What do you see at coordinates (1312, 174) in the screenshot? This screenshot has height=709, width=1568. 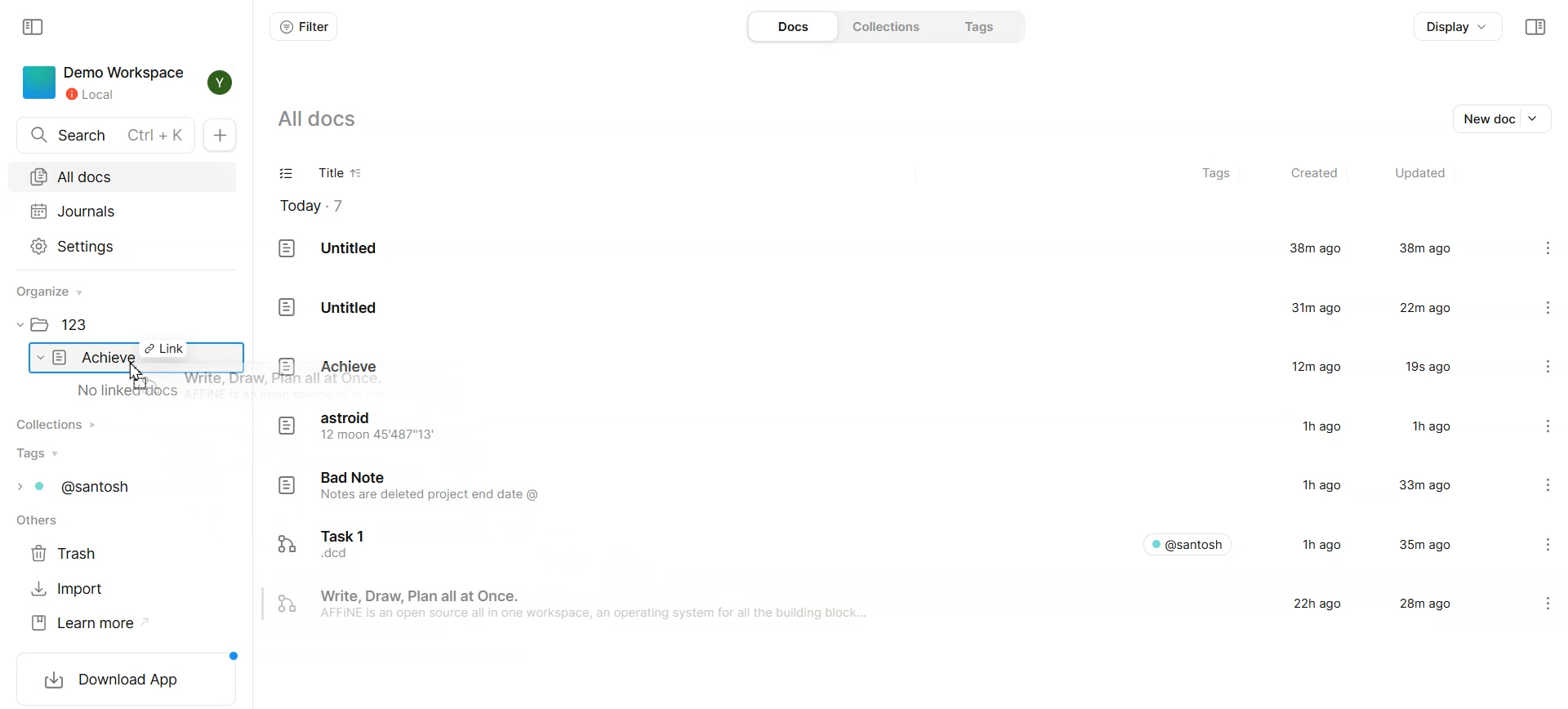 I see `Created` at bounding box center [1312, 174].